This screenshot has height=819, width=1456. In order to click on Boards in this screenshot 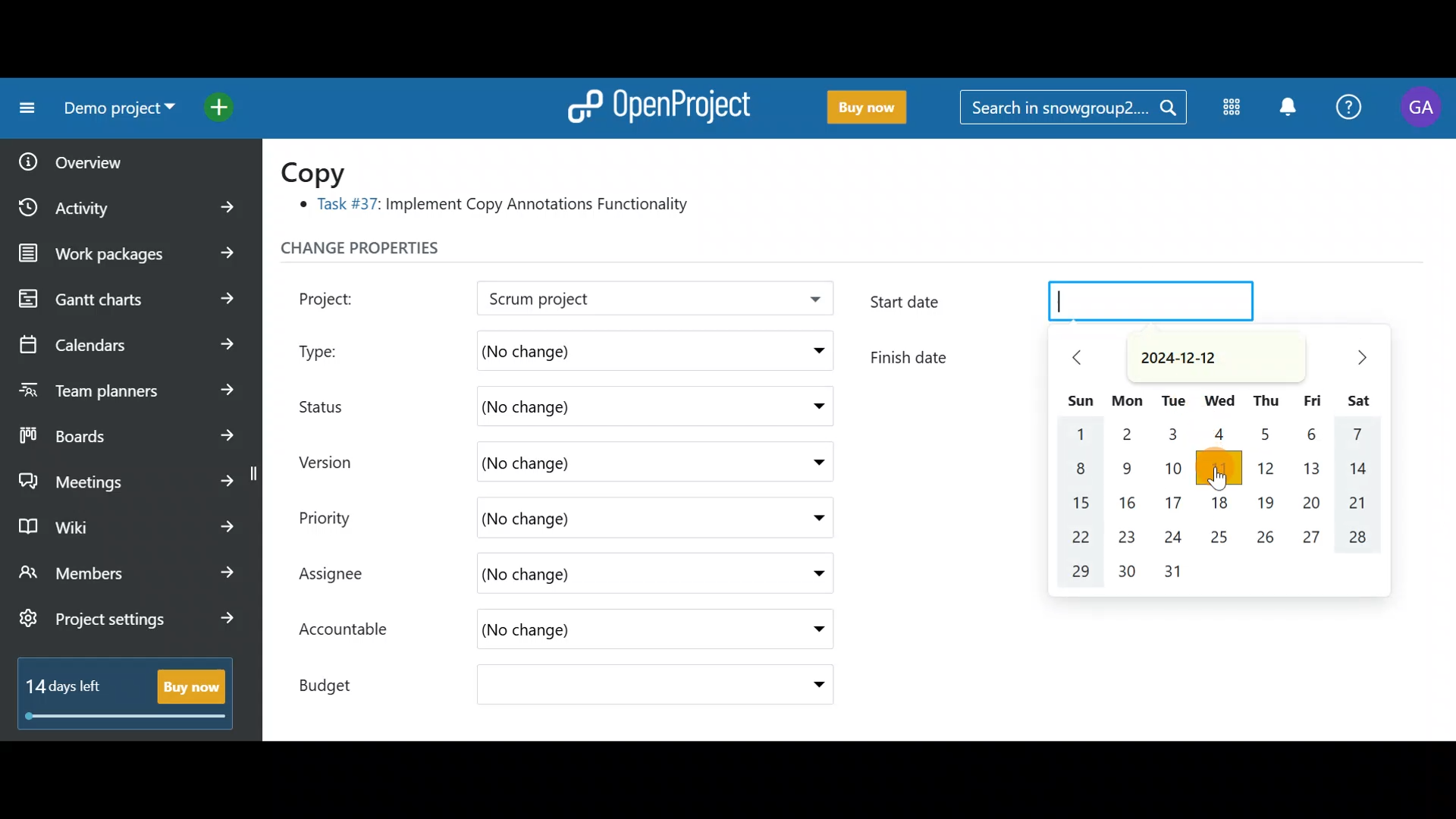, I will do `click(128, 431)`.